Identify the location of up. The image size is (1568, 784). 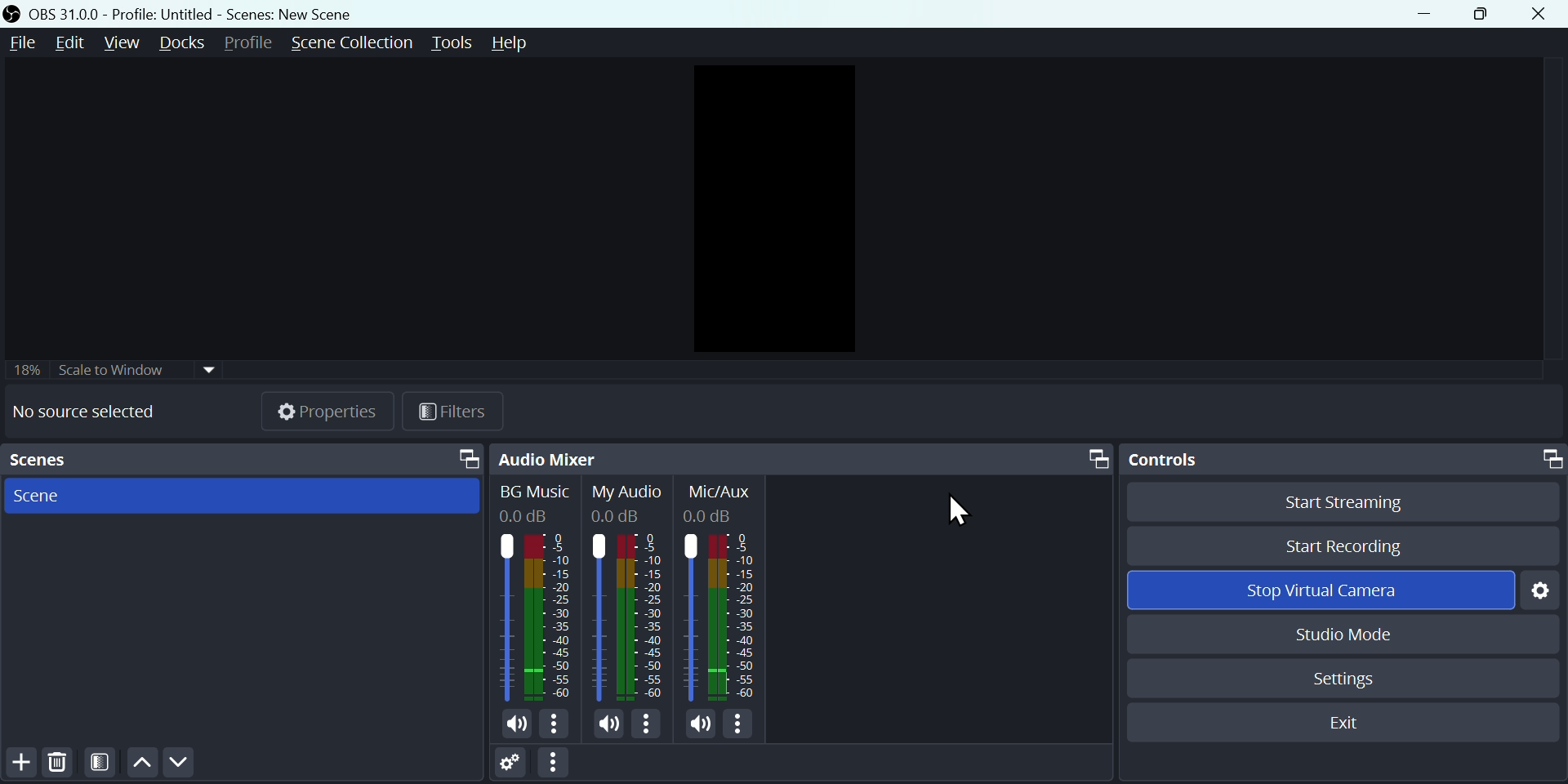
(140, 763).